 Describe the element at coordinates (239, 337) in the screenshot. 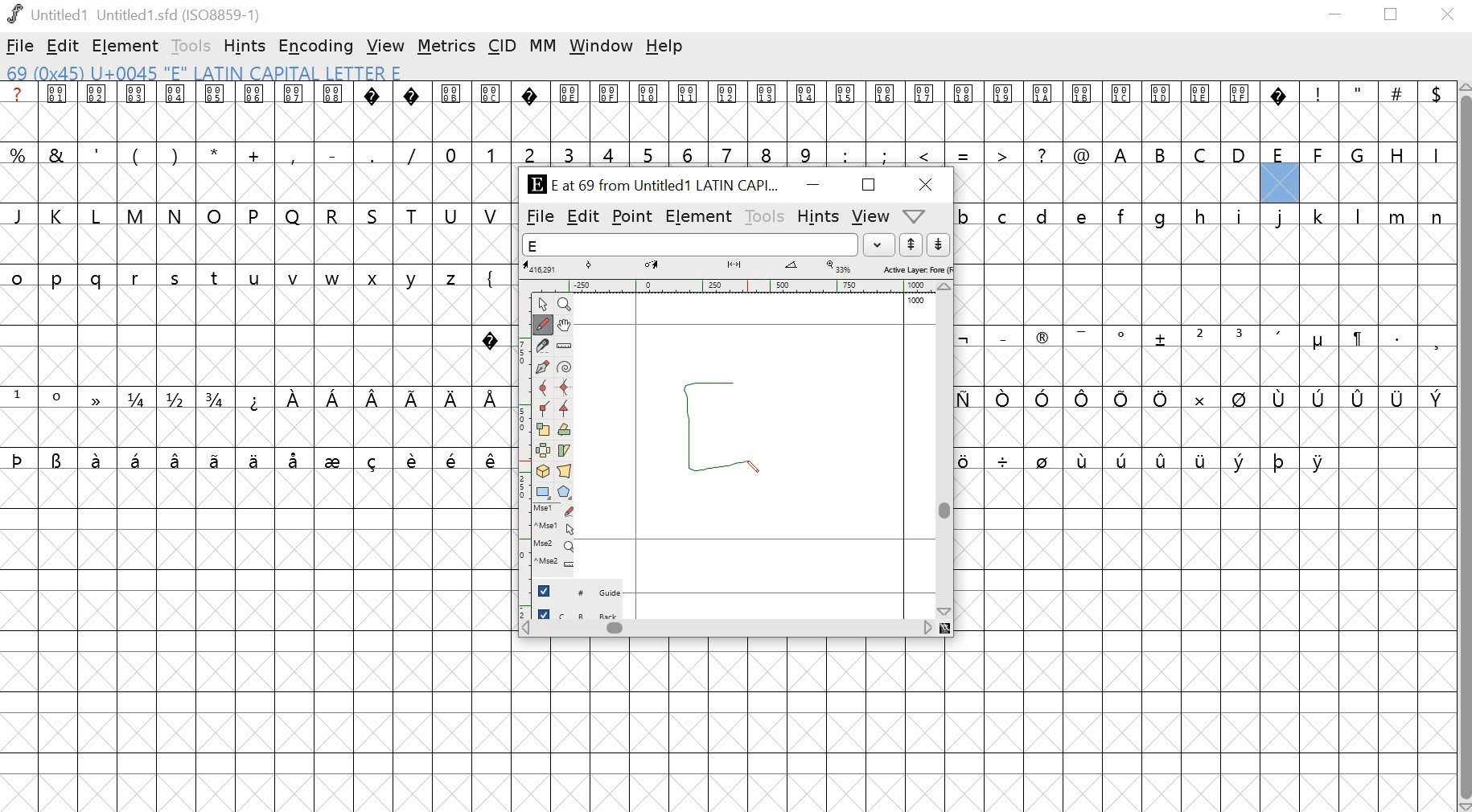

I see `empty cells` at that location.